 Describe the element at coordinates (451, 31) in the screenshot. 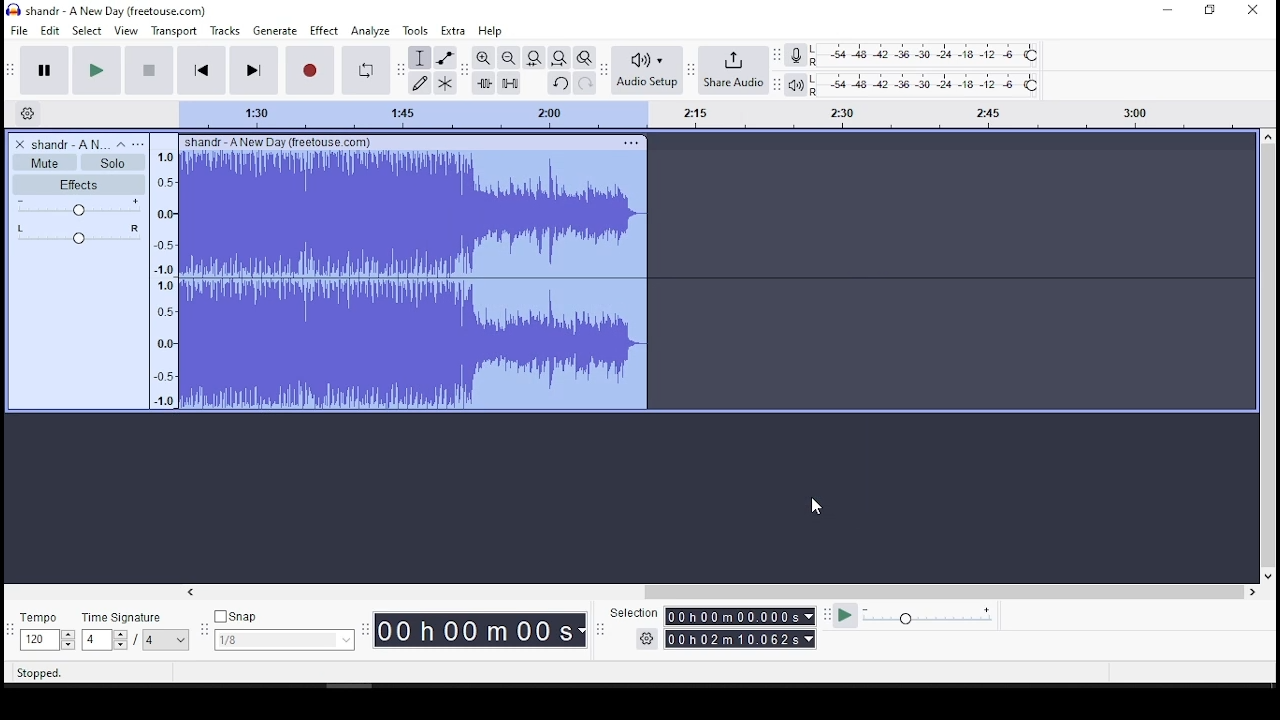

I see `` at that location.